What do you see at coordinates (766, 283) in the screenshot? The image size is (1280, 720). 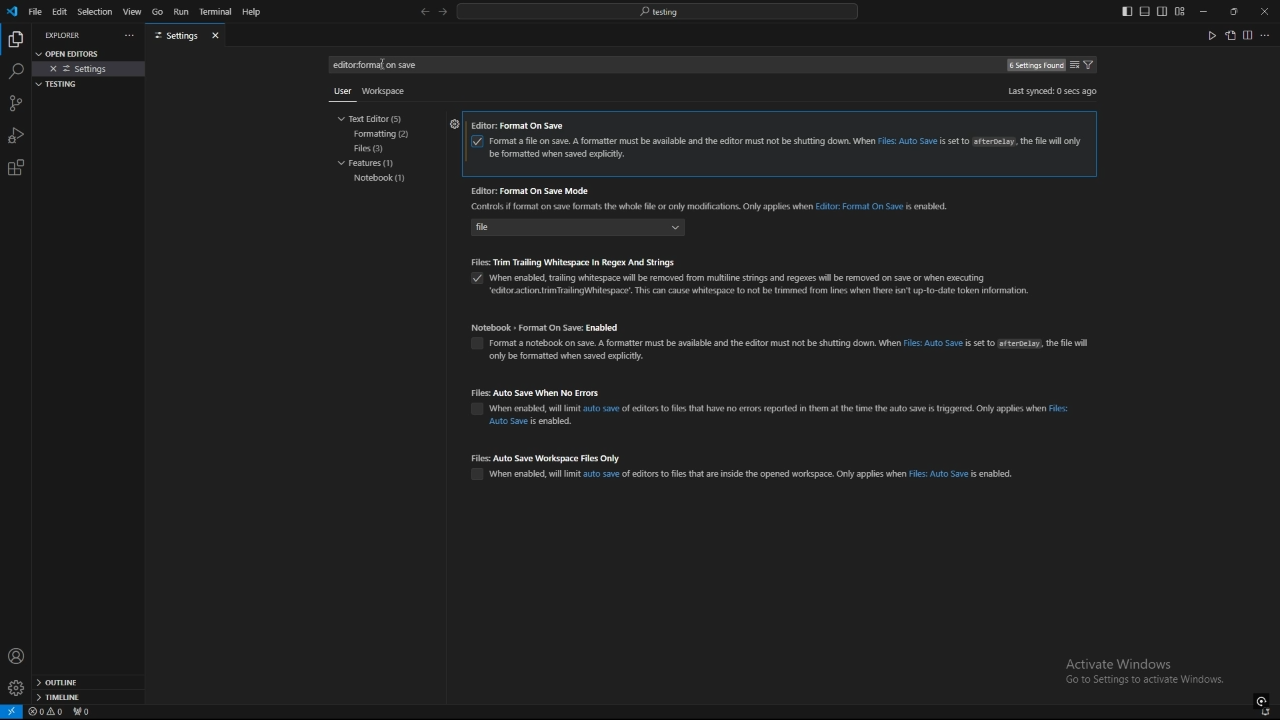 I see `explanation of trim trailing whitespace` at bounding box center [766, 283].